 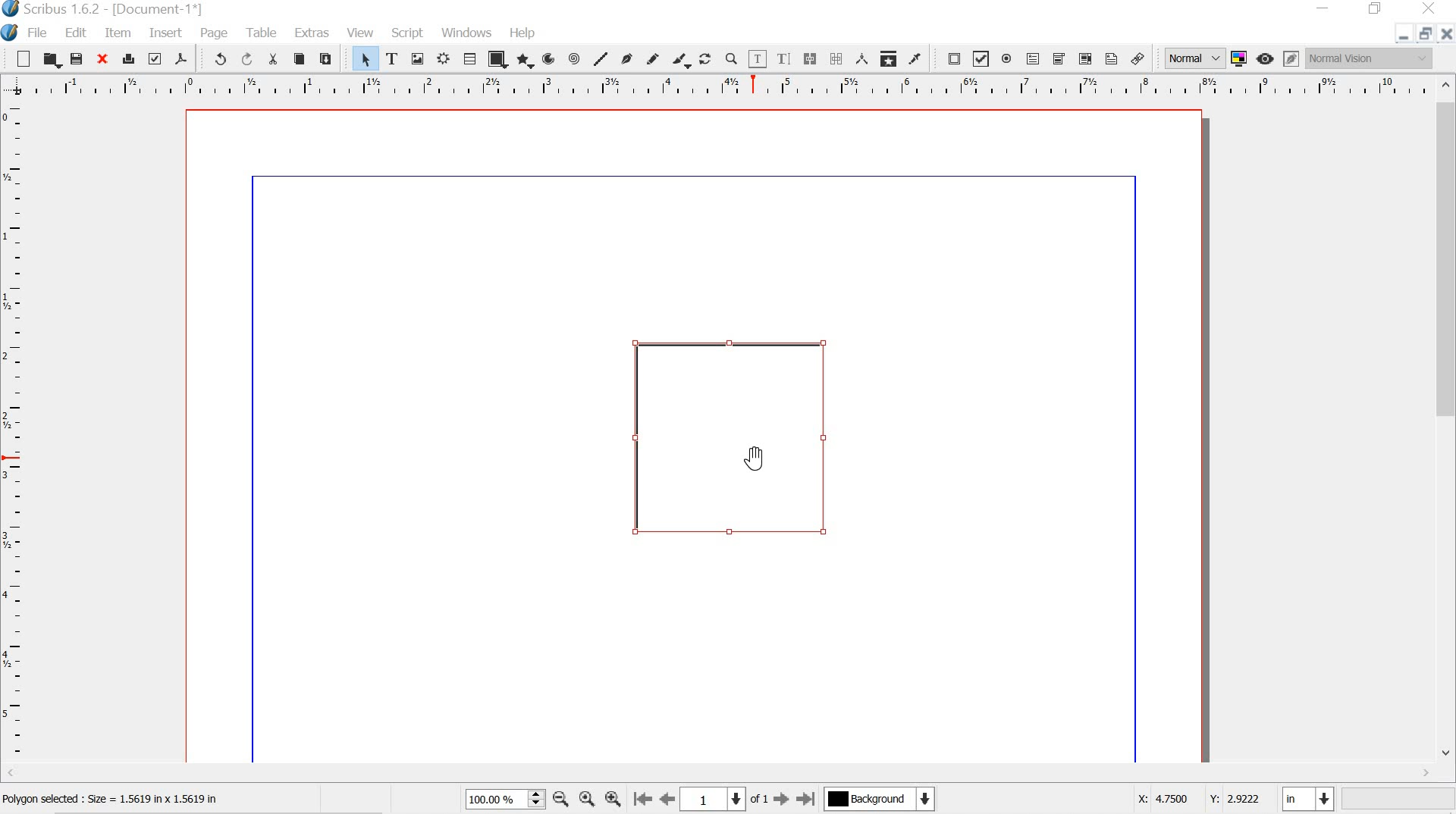 I want to click on restore down, so click(x=1376, y=9).